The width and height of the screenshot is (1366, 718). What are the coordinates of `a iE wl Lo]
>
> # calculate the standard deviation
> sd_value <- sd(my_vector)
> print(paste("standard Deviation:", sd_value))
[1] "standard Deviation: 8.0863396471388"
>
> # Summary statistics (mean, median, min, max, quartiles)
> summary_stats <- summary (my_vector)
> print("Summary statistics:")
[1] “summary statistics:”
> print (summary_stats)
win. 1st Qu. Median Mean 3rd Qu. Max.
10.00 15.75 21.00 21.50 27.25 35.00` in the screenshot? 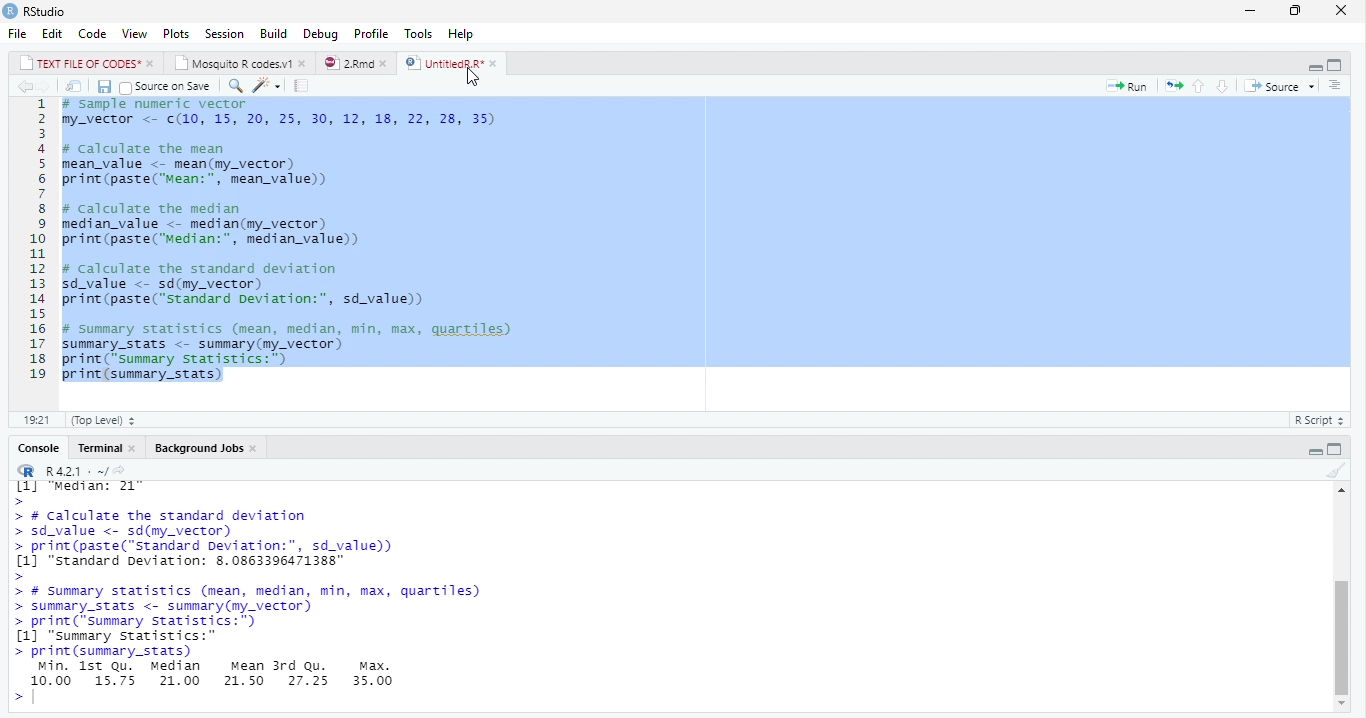 It's located at (246, 585).